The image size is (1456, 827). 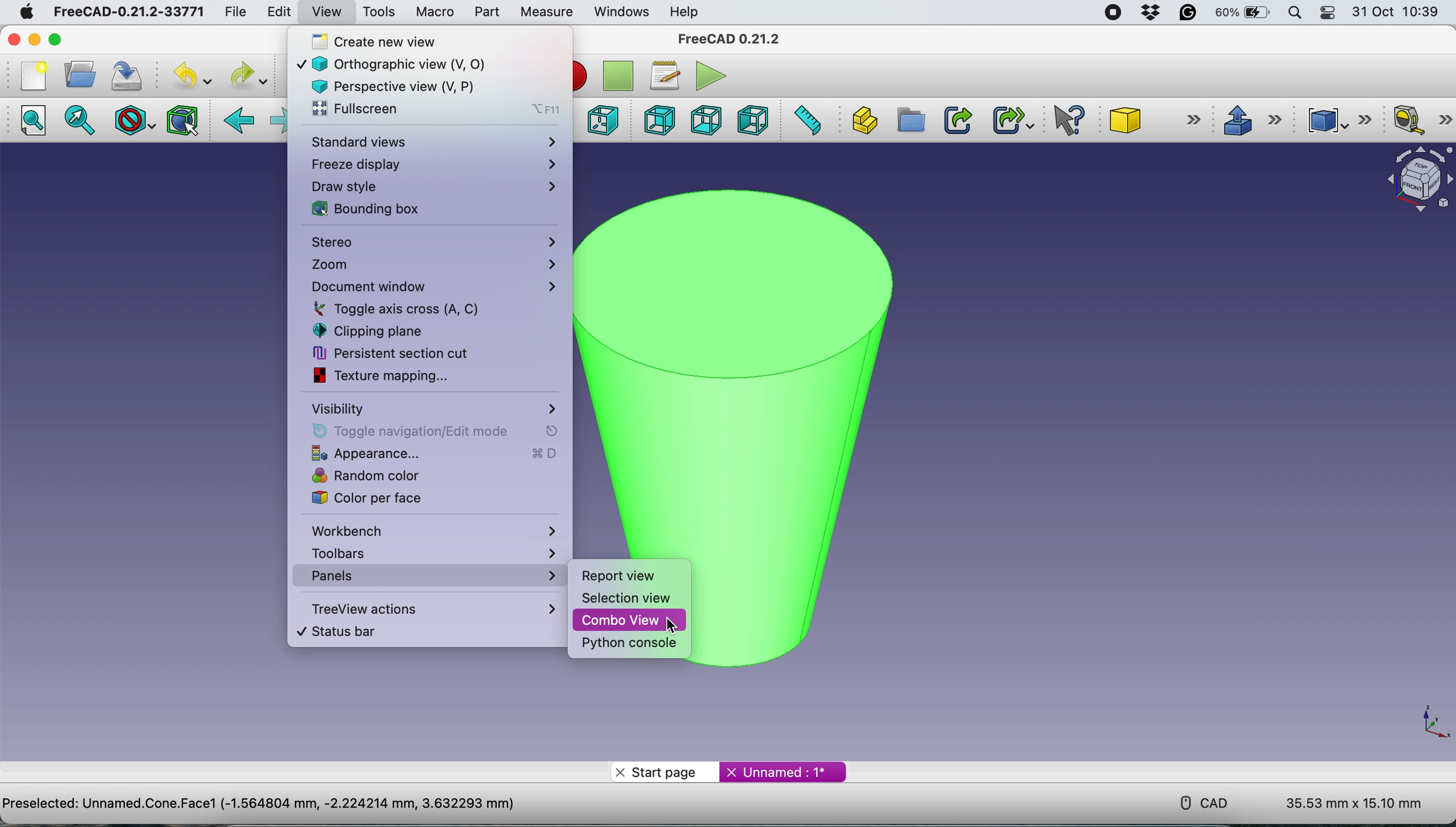 I want to click on system logo, so click(x=19, y=11).